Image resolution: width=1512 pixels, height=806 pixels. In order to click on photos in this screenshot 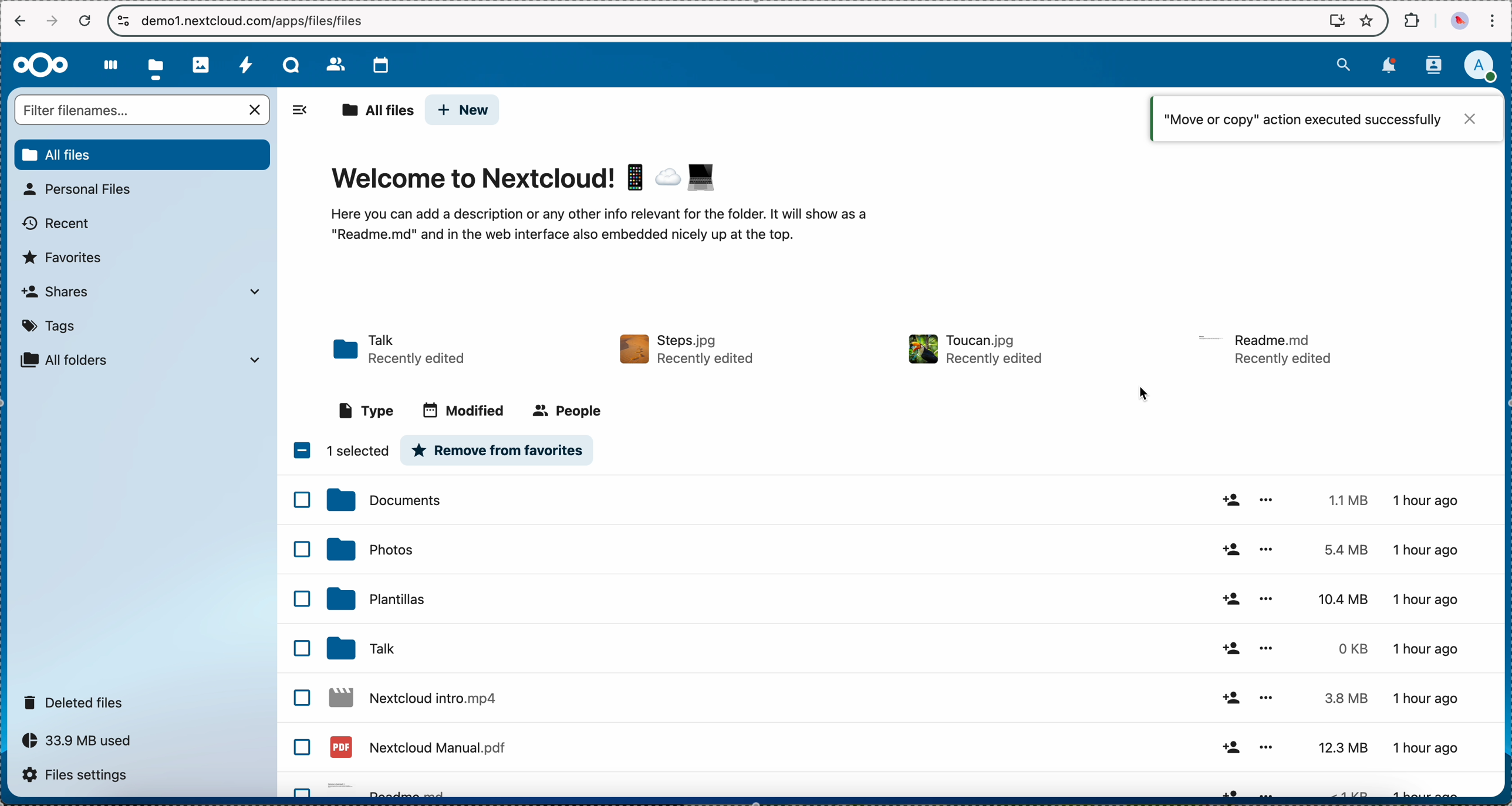, I will do `click(202, 63)`.